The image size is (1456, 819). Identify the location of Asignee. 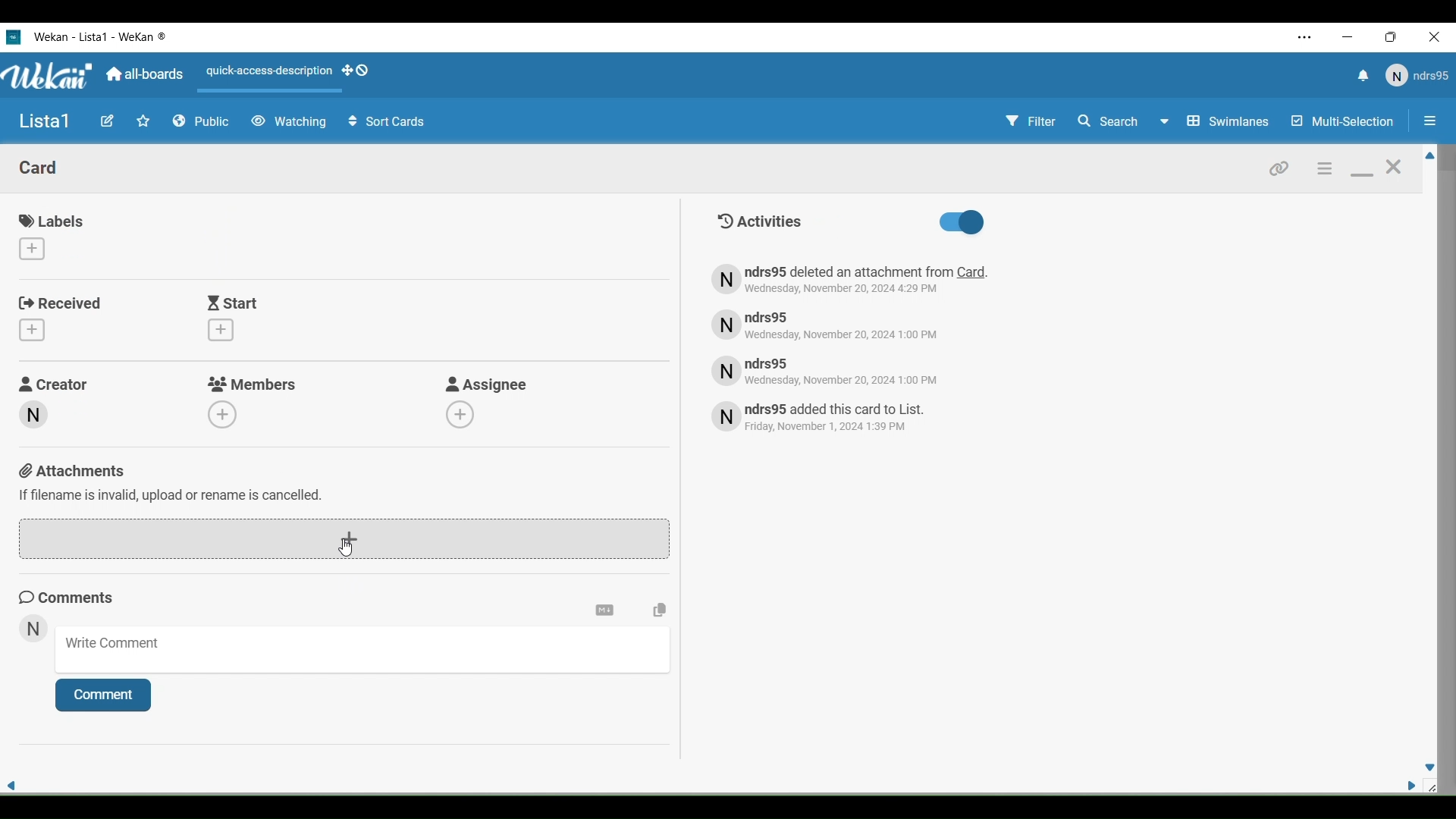
(488, 384).